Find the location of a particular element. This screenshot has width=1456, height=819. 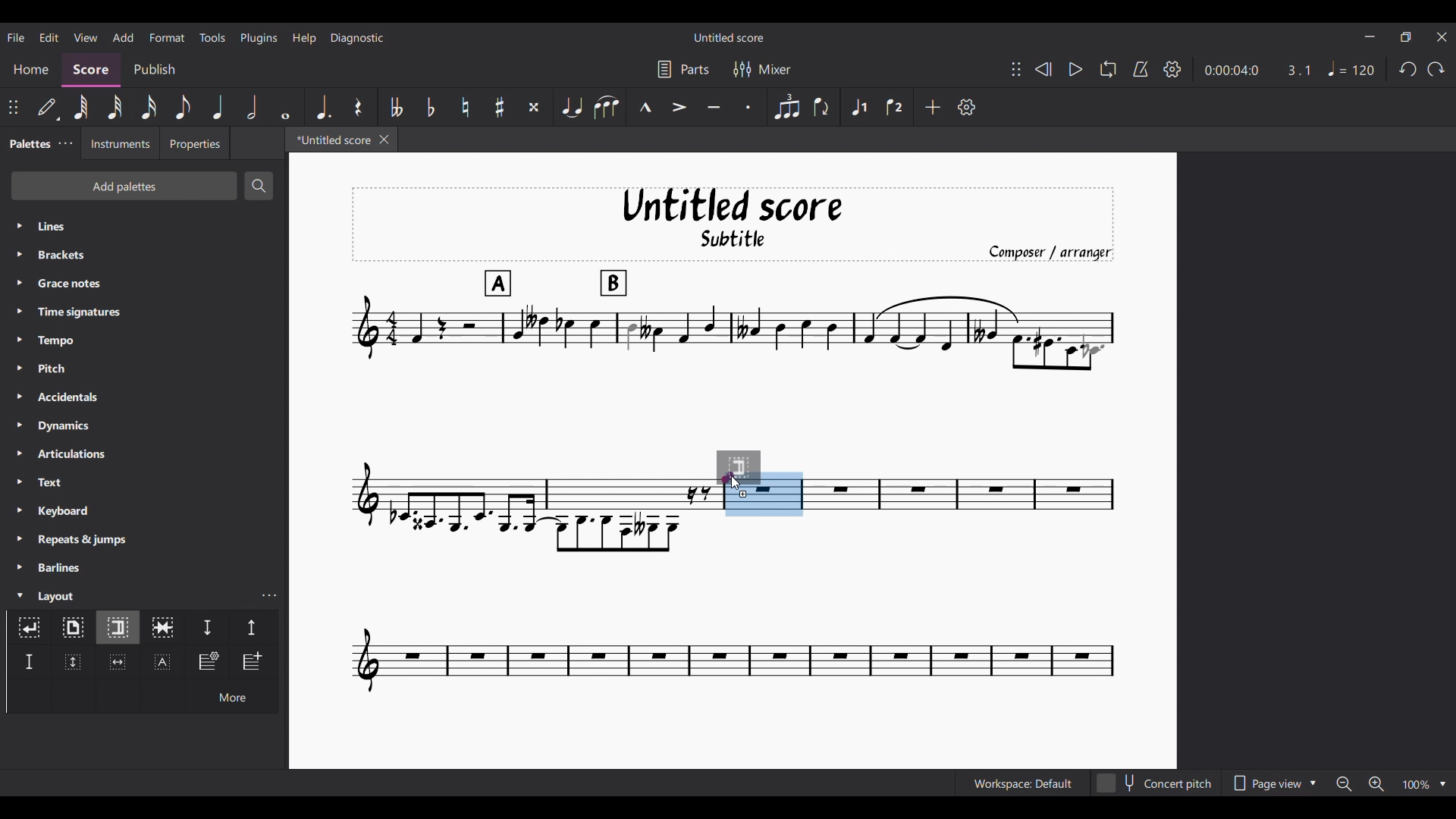

Add palettes is located at coordinates (124, 186).